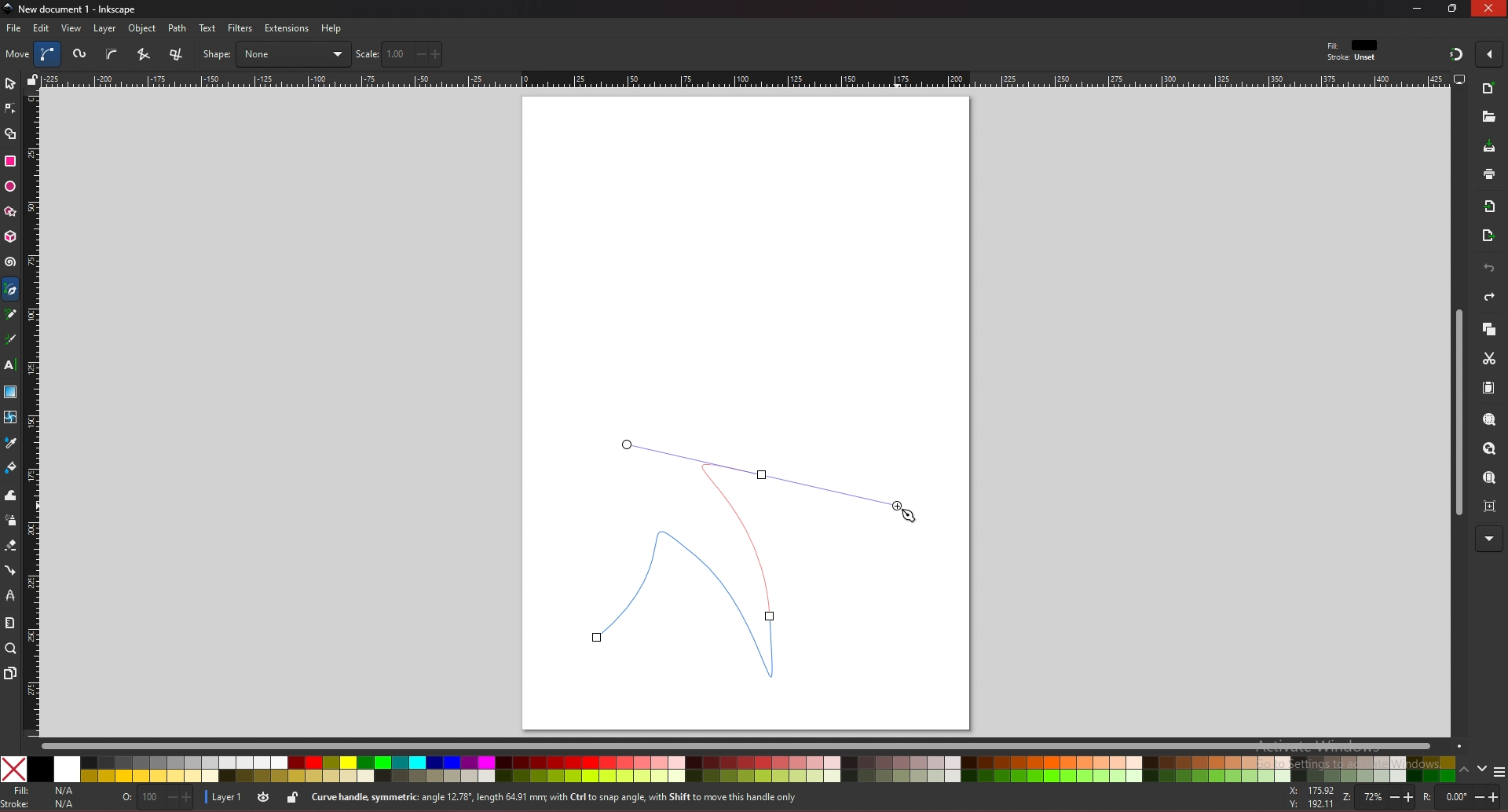 The height and width of the screenshot is (812, 1508). Describe the element at coordinates (1489, 540) in the screenshot. I see `more` at that location.